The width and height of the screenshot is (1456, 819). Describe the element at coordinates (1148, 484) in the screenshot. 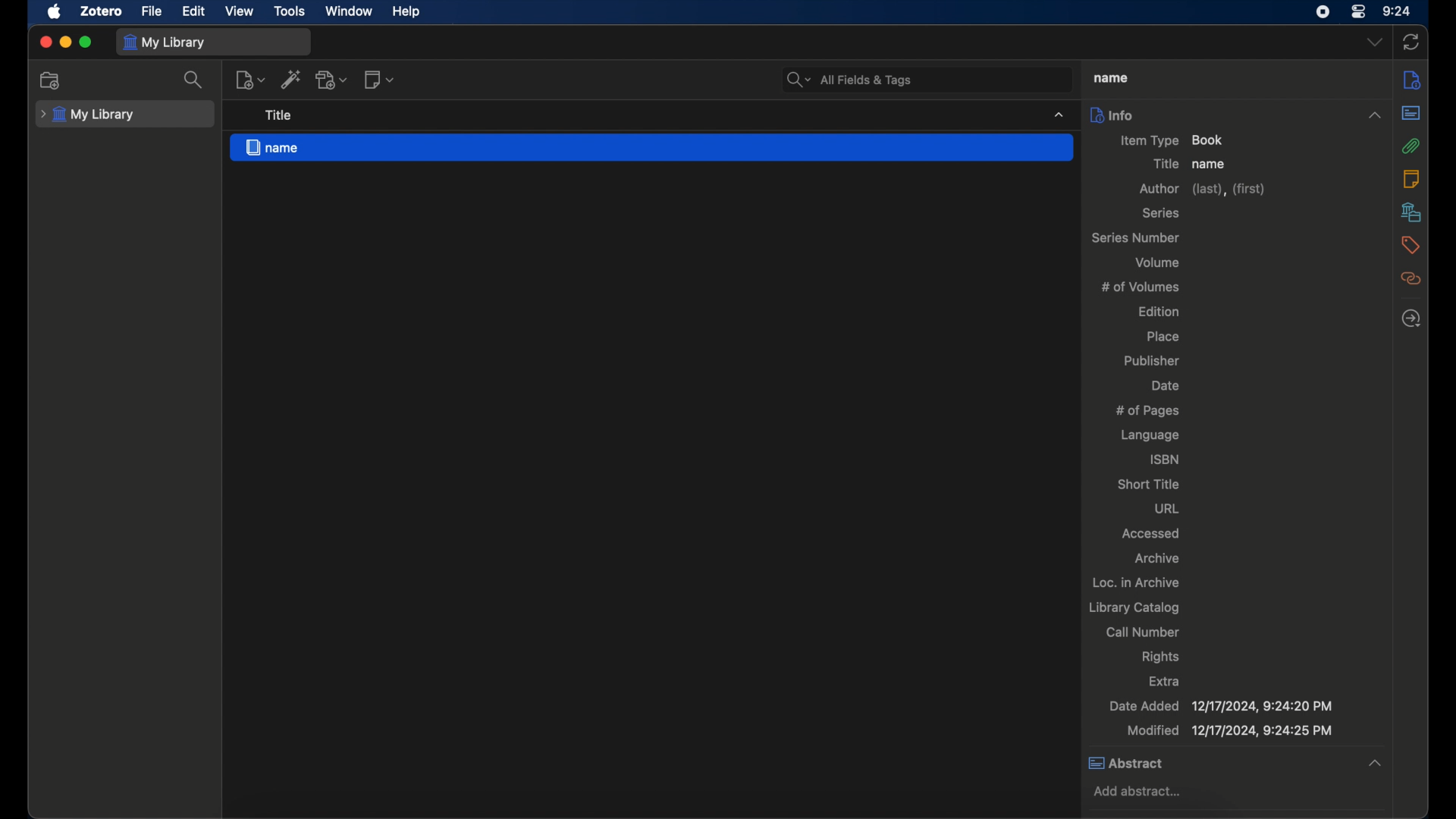

I see `short title` at that location.